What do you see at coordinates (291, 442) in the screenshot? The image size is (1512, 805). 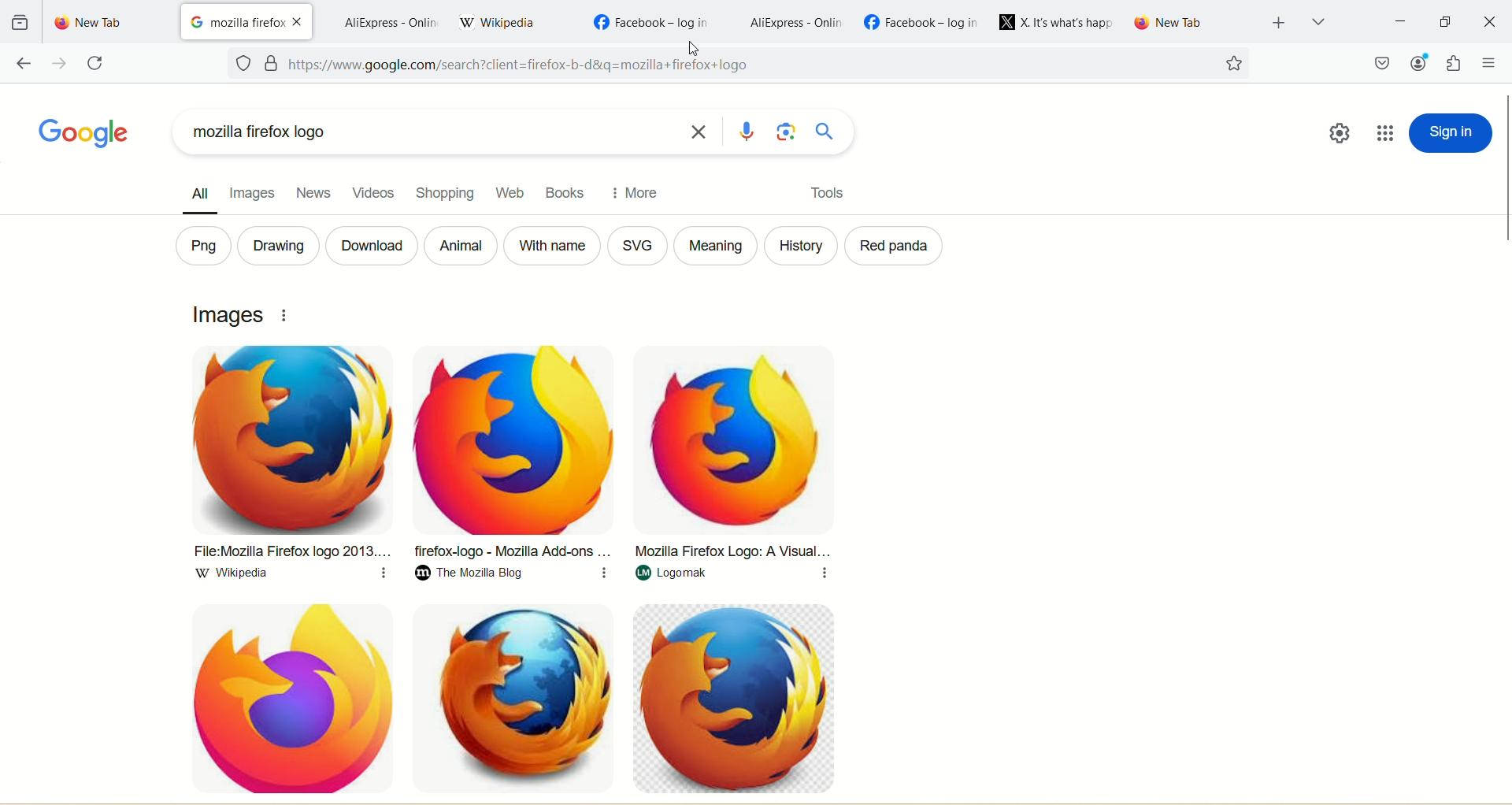 I see `Image` at bounding box center [291, 442].